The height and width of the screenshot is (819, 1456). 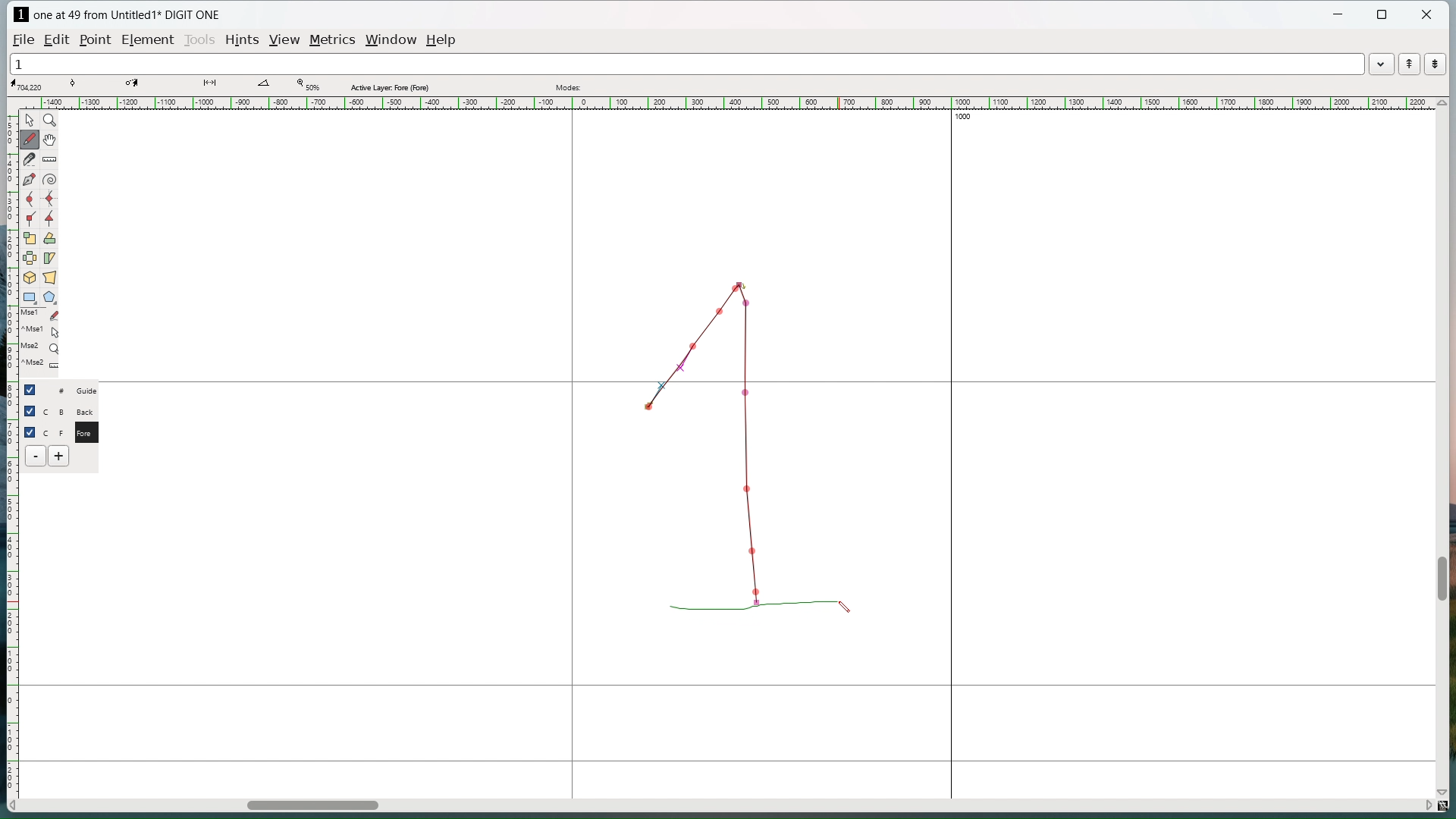 I want to click on checkbox, so click(x=30, y=431).